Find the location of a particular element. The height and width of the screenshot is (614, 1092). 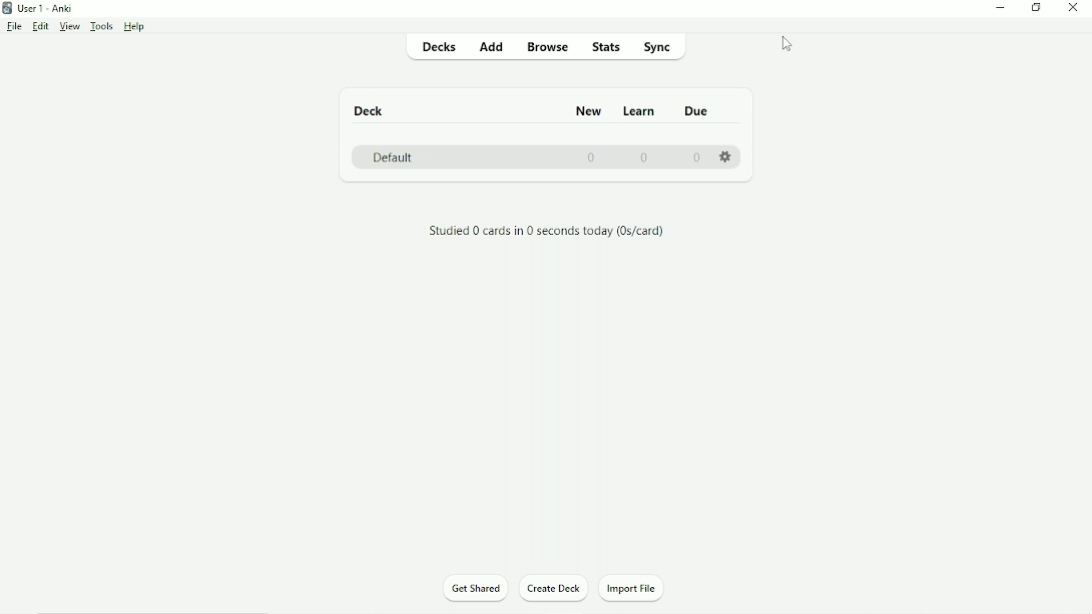

0 is located at coordinates (696, 157).